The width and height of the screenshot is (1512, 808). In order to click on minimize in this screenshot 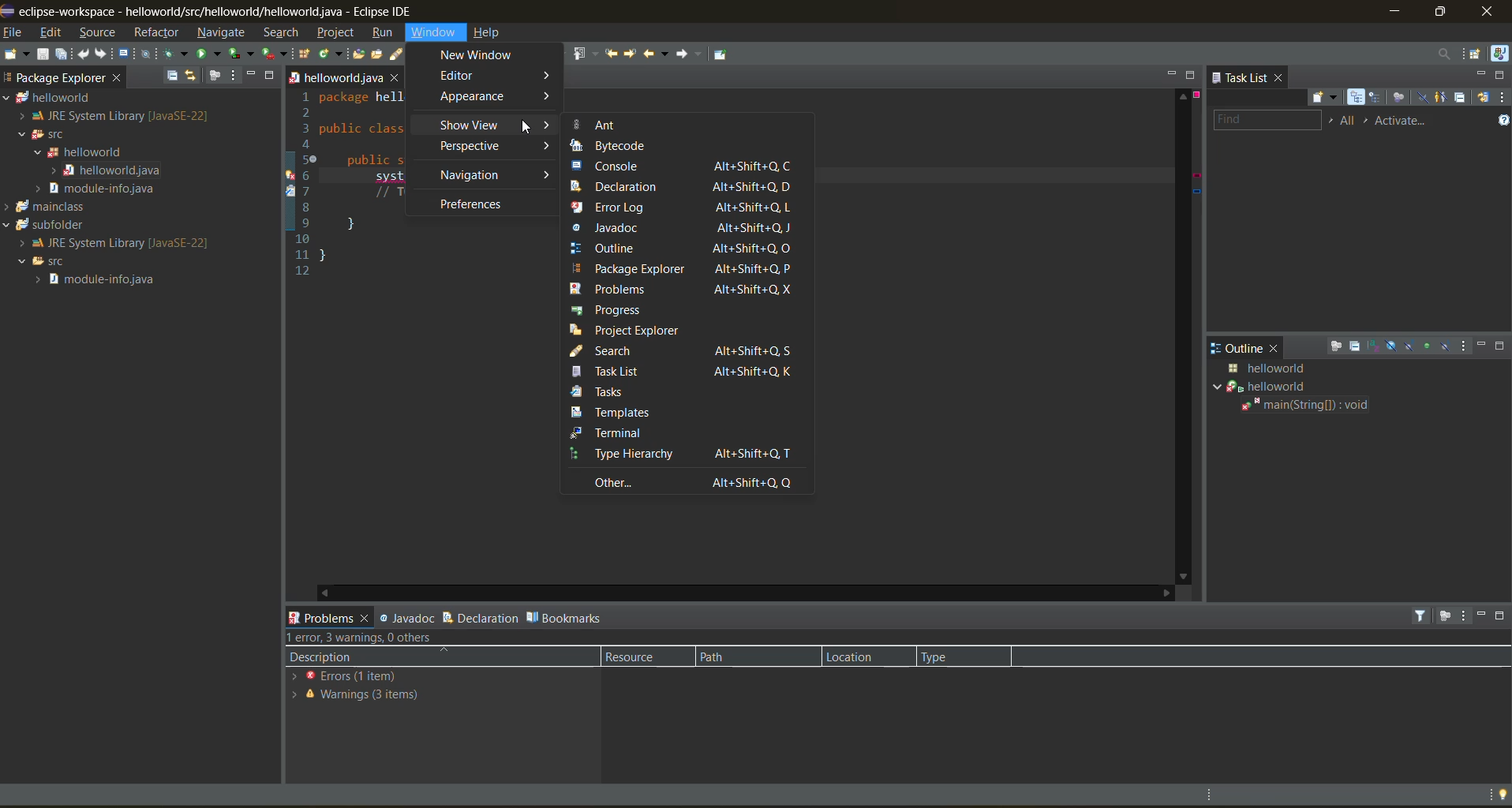, I will do `click(1484, 346)`.